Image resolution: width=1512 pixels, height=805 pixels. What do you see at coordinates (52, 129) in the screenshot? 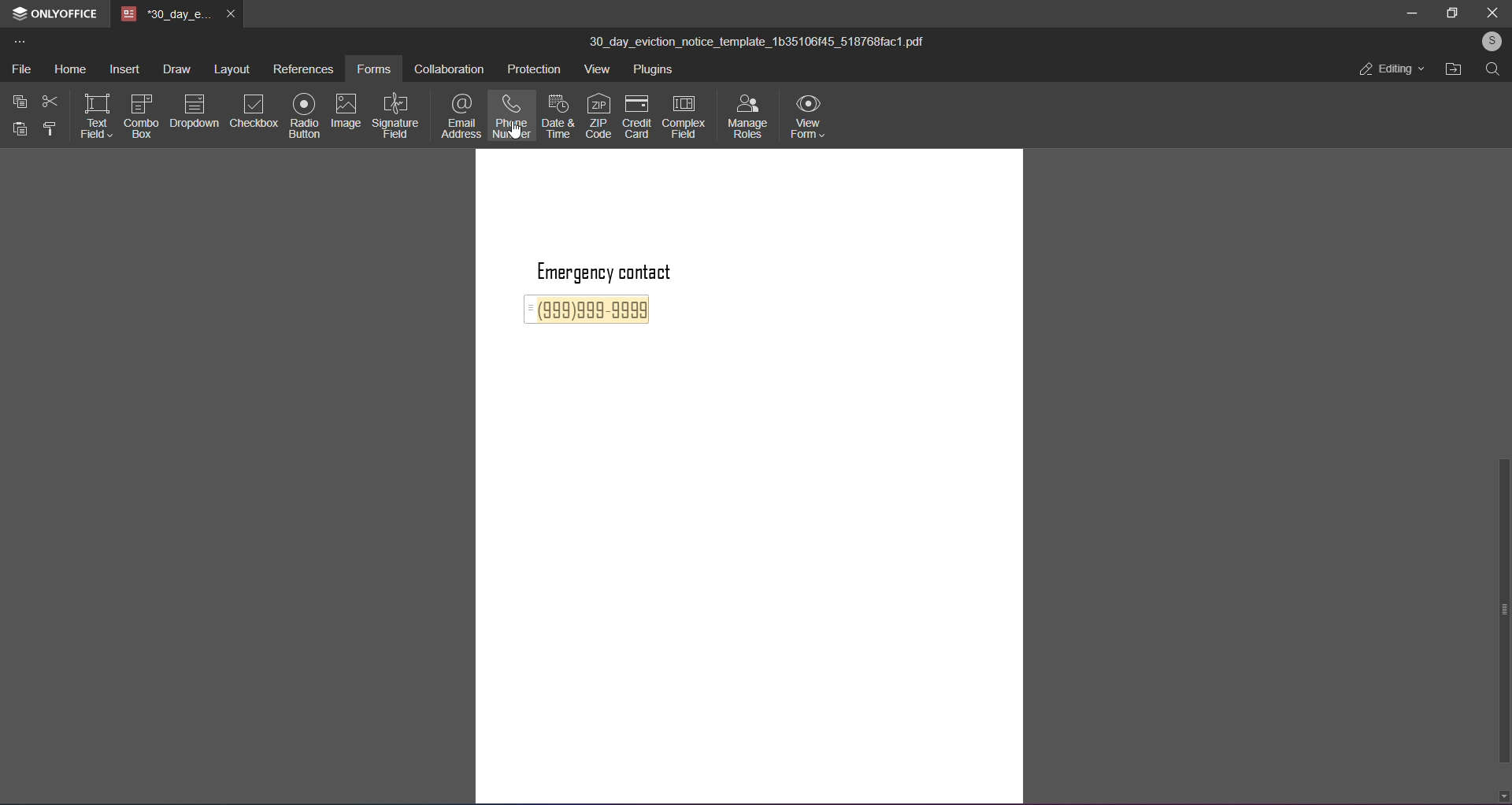
I see `format` at bounding box center [52, 129].